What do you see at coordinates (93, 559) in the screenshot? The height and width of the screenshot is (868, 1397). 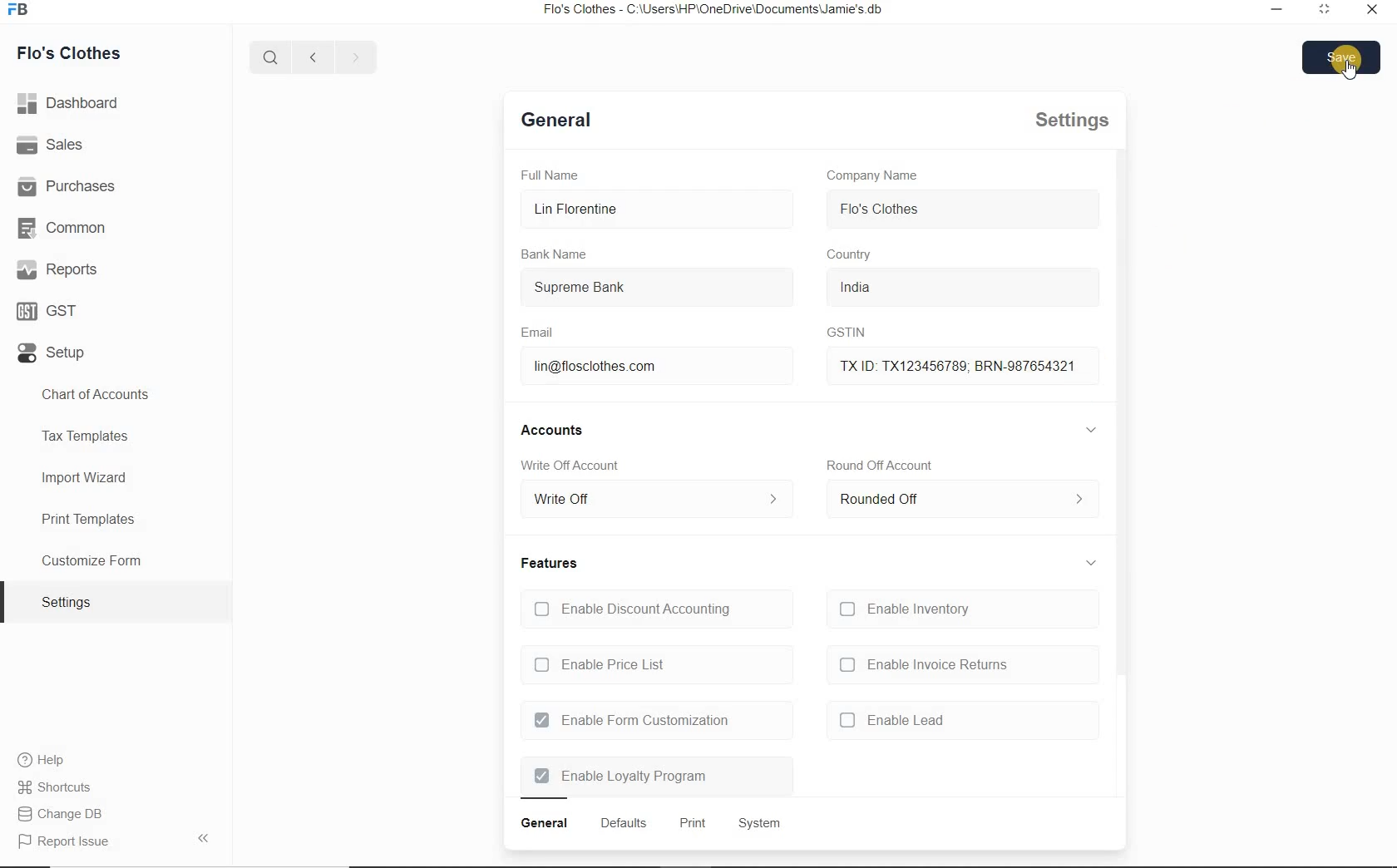 I see `Customize Form` at bounding box center [93, 559].